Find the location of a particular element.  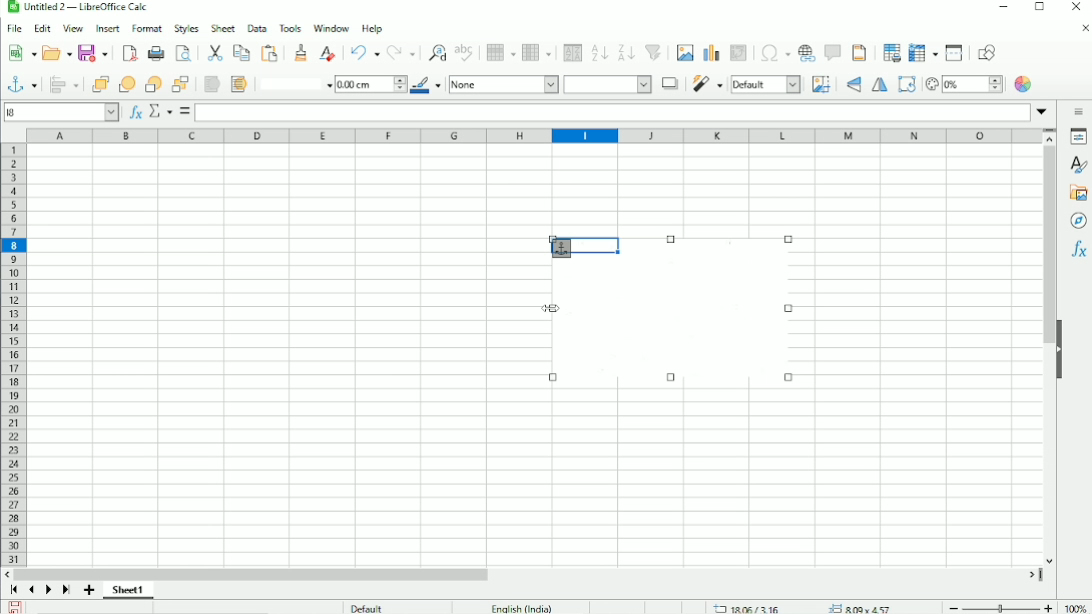

Split window is located at coordinates (954, 53).